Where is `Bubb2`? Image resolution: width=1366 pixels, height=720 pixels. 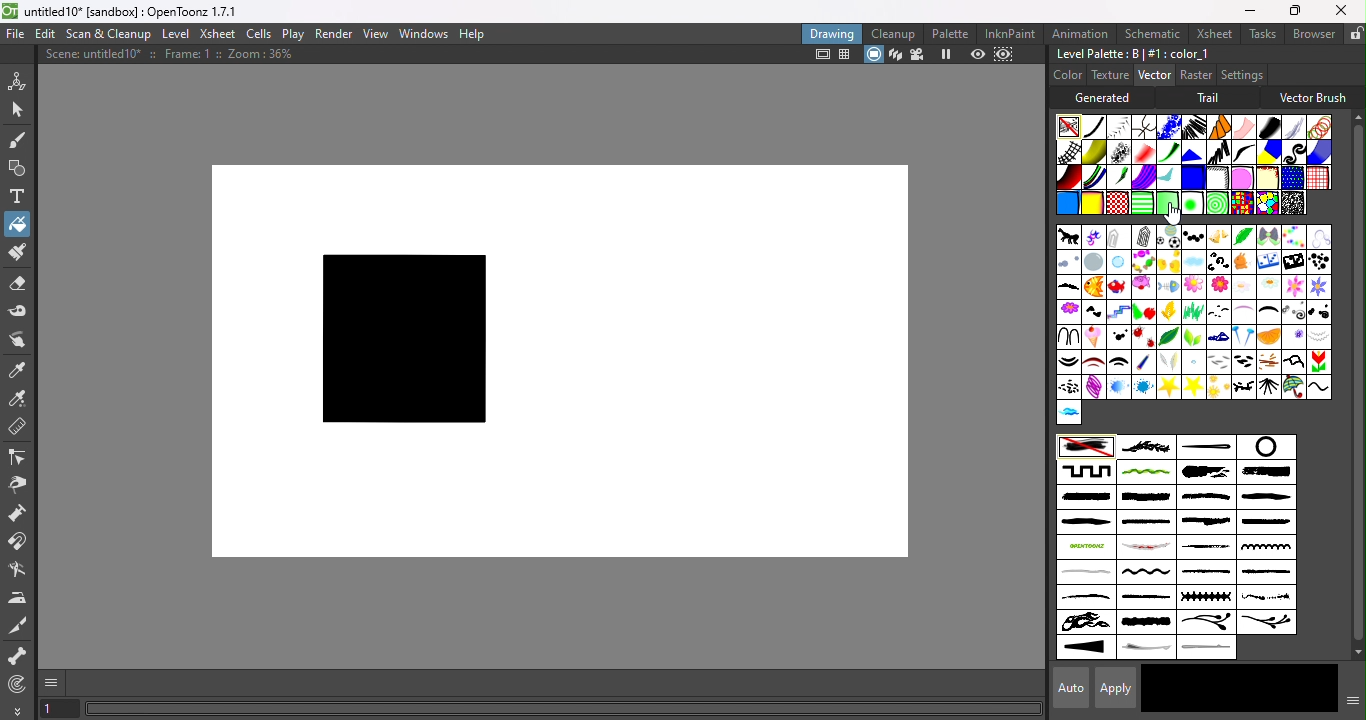 Bubb2 is located at coordinates (1119, 262).